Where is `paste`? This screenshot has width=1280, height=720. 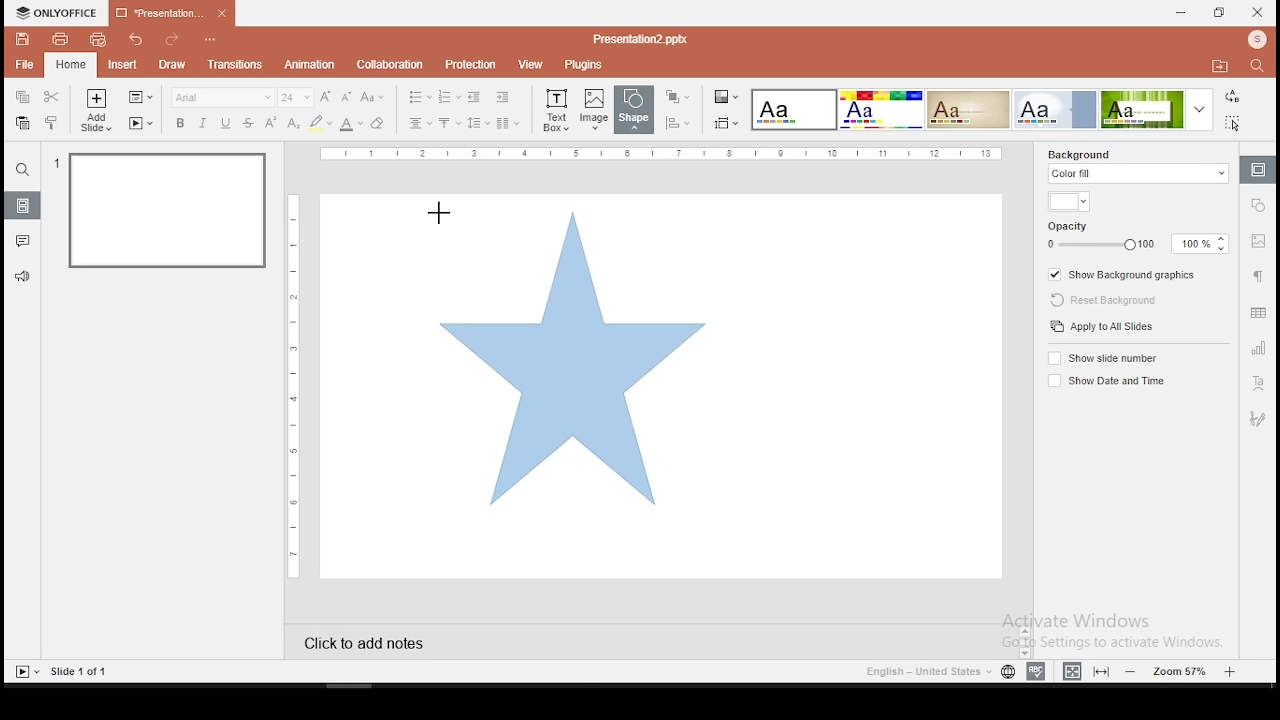
paste is located at coordinates (22, 123).